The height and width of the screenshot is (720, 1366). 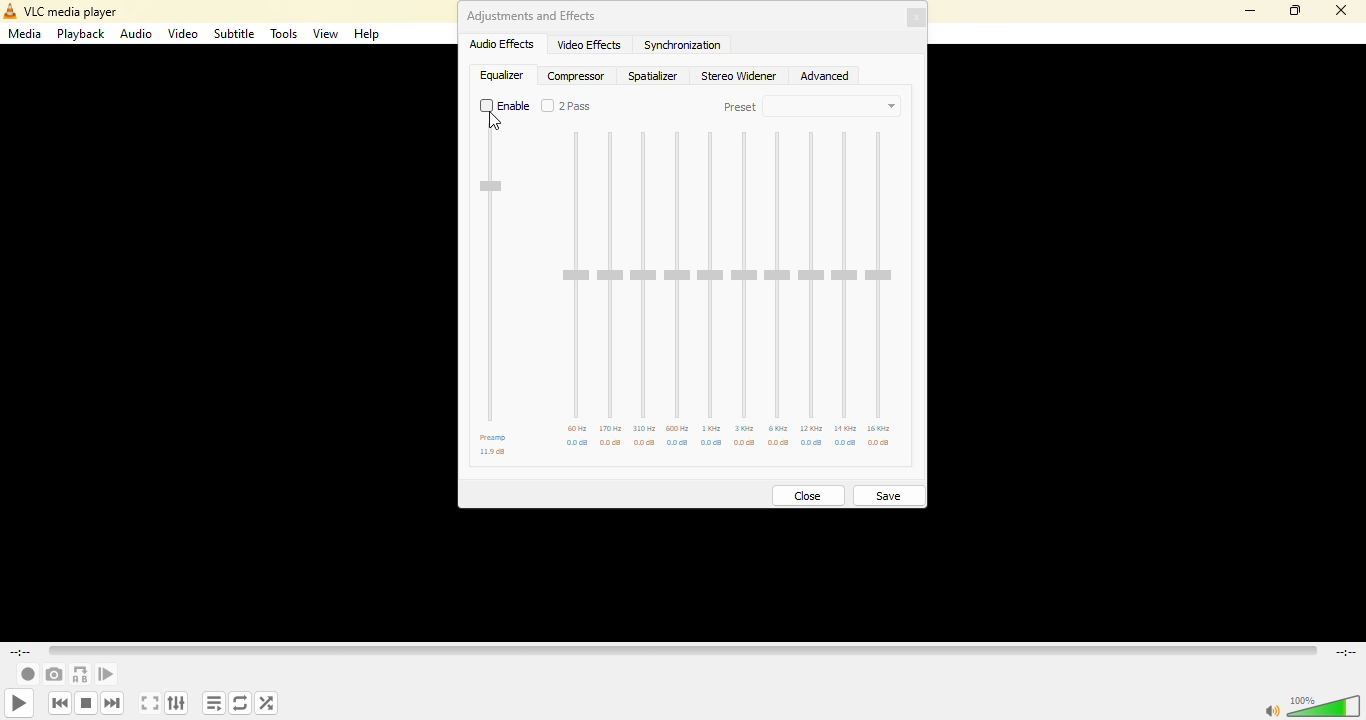 I want to click on close, so click(x=1345, y=10).